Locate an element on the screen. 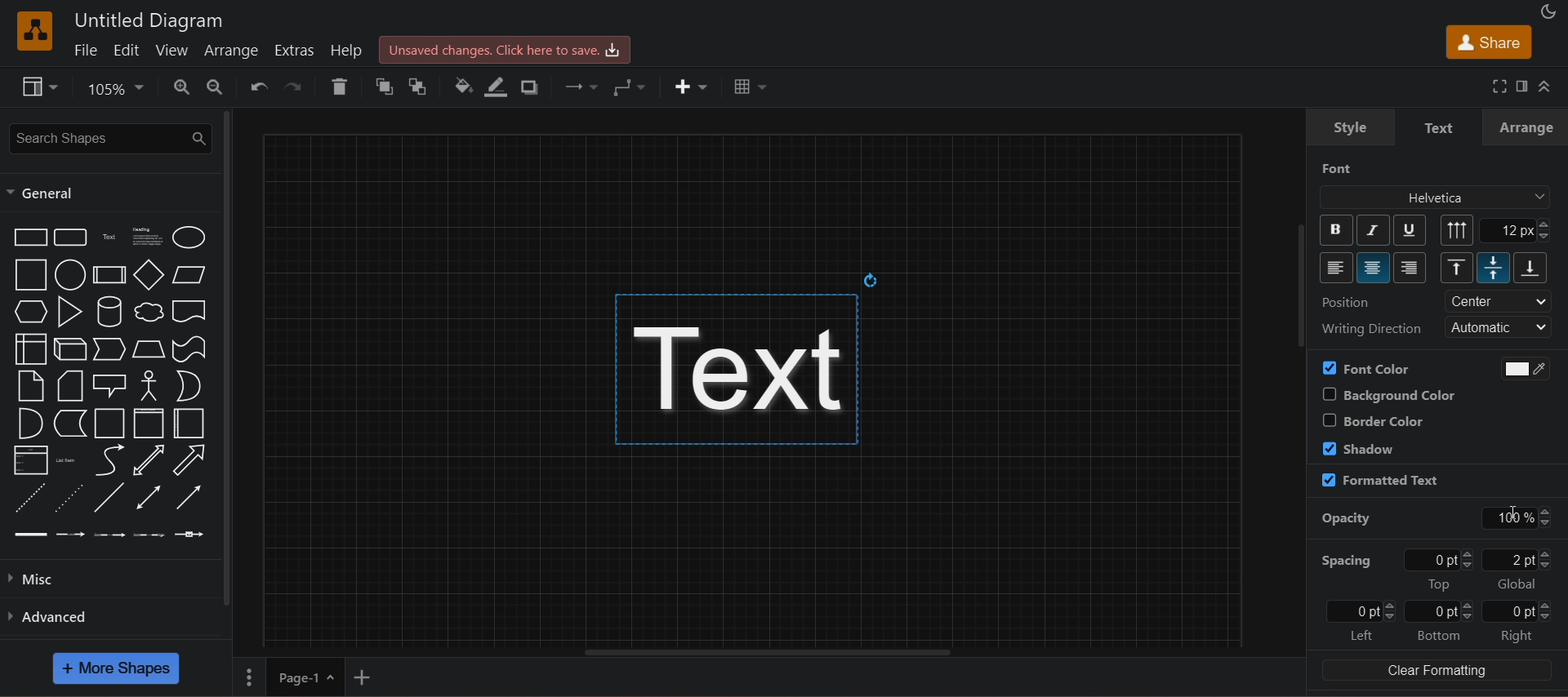 This screenshot has height=697, width=1568. rounded rectangle is located at coordinates (73, 237).